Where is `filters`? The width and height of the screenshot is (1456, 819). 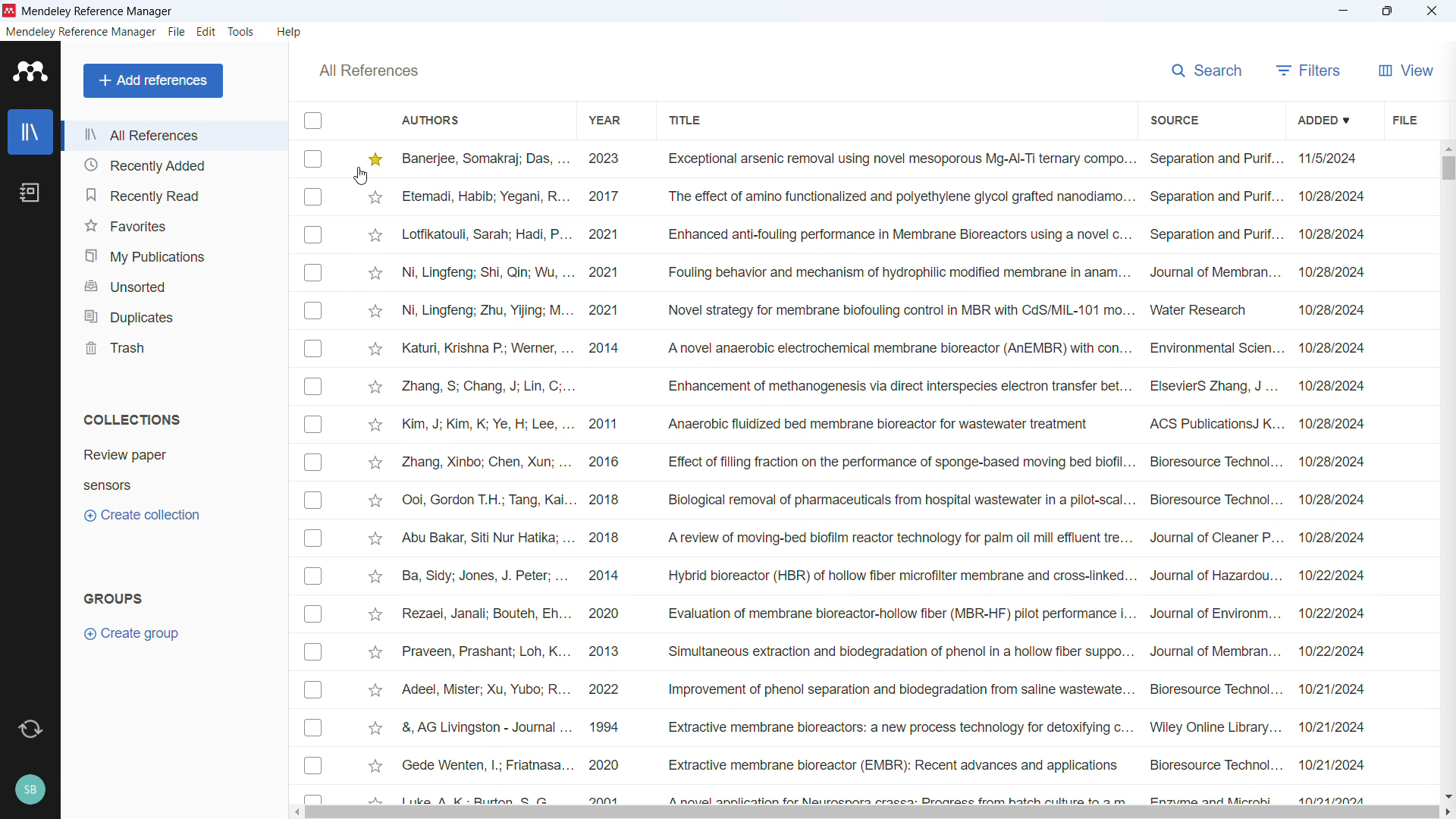 filters is located at coordinates (1310, 70).